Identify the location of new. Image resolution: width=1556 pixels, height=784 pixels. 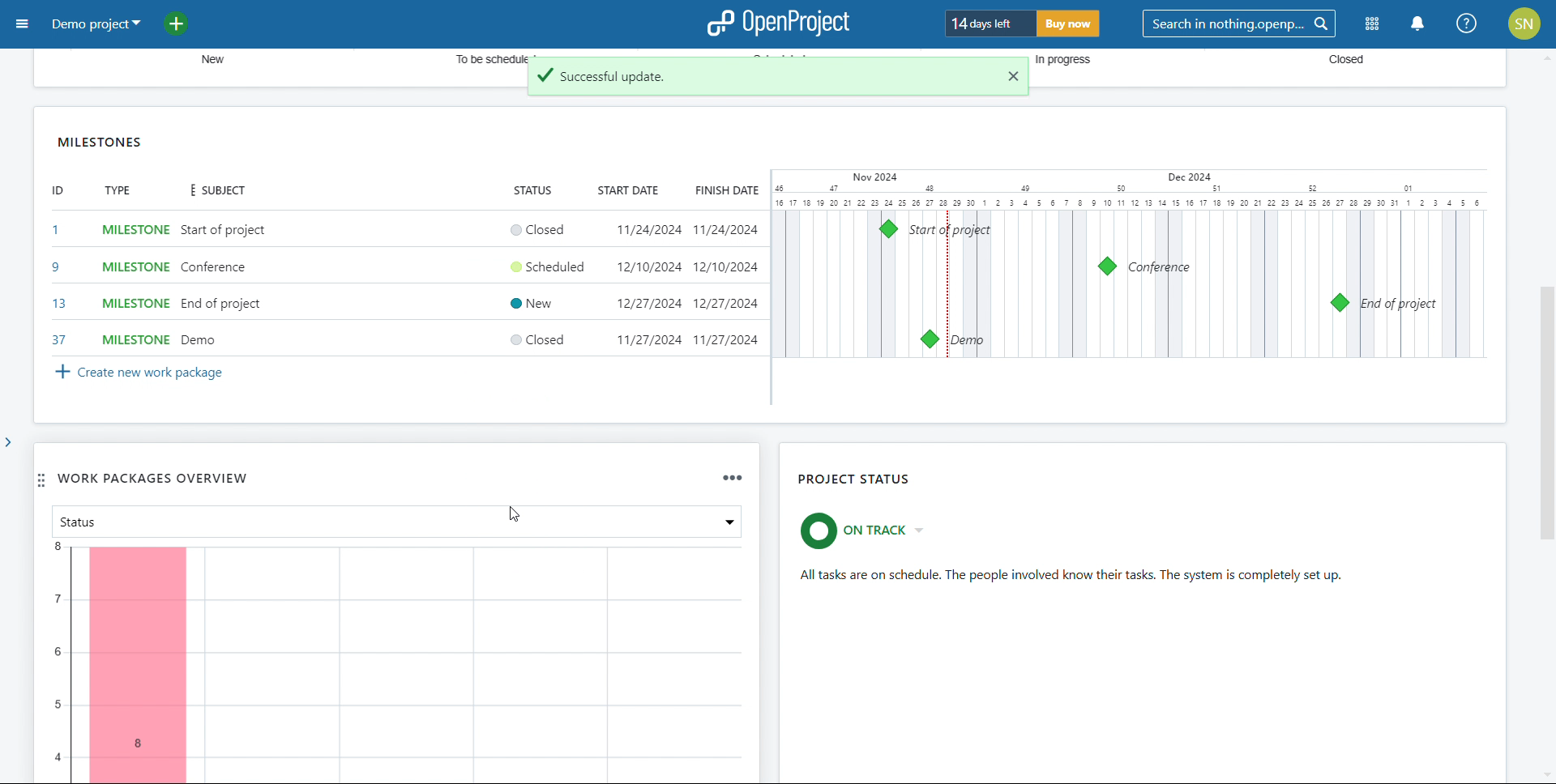
(207, 60).